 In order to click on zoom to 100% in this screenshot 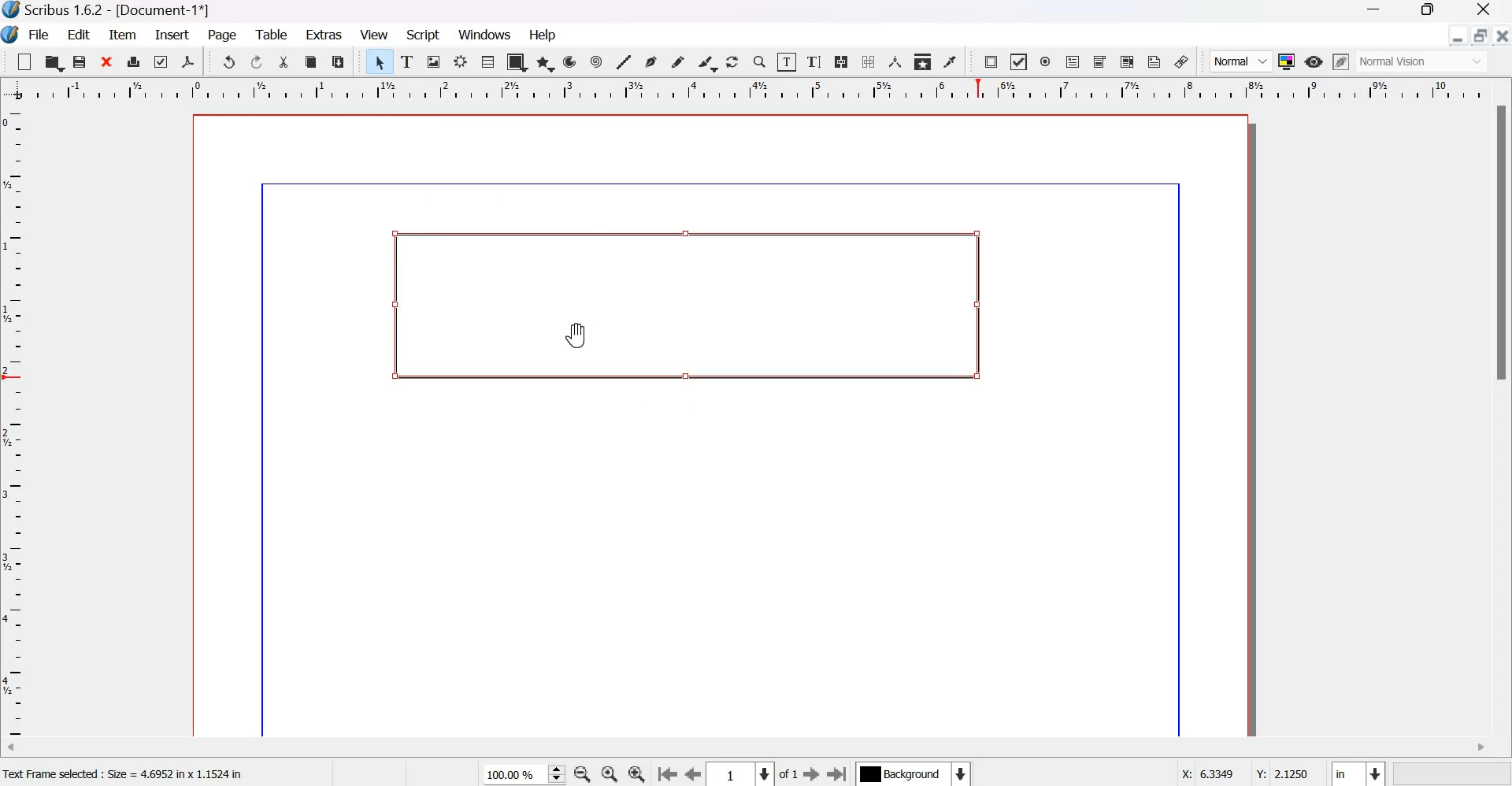, I will do `click(611, 774)`.